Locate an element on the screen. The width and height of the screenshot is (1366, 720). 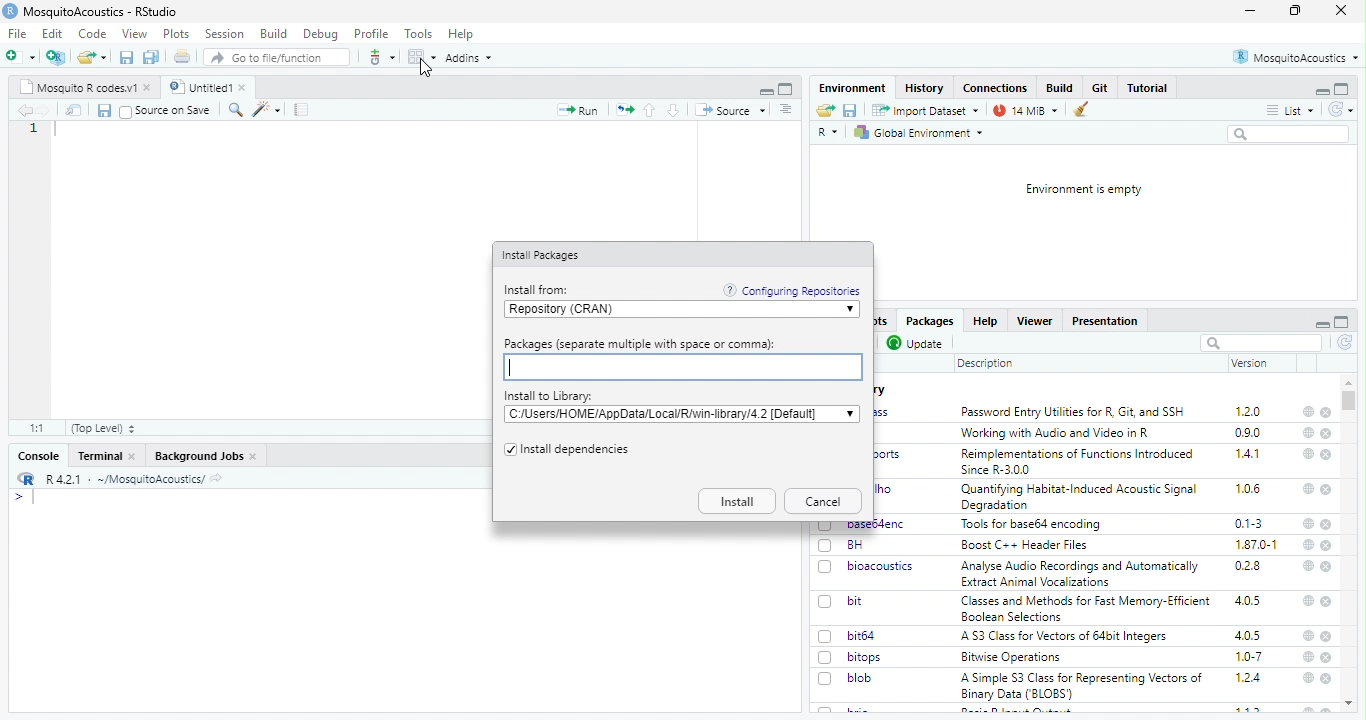
sync is located at coordinates (1340, 110).